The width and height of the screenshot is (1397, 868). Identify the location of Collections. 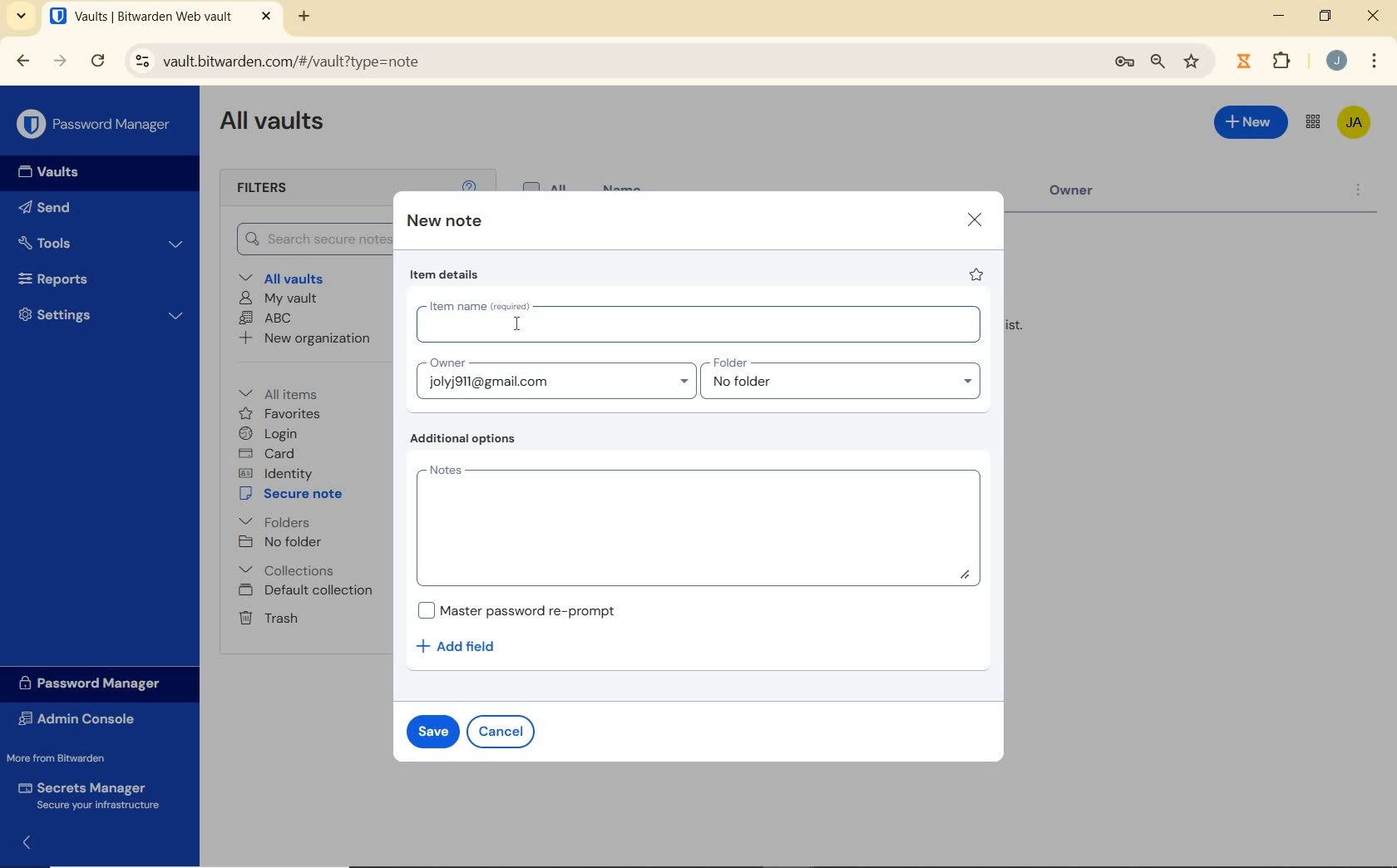
(290, 570).